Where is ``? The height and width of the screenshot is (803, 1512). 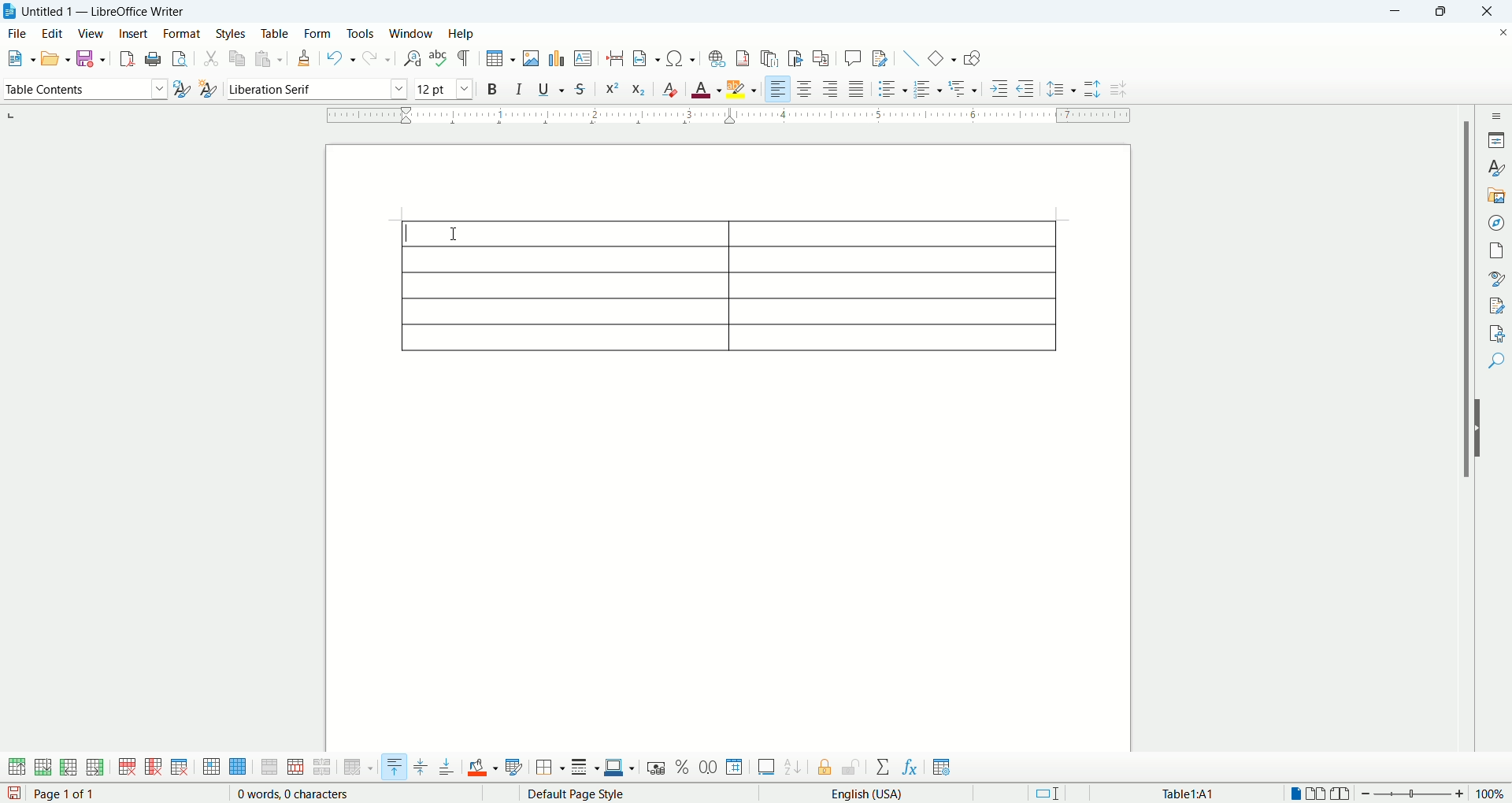  is located at coordinates (965, 87).